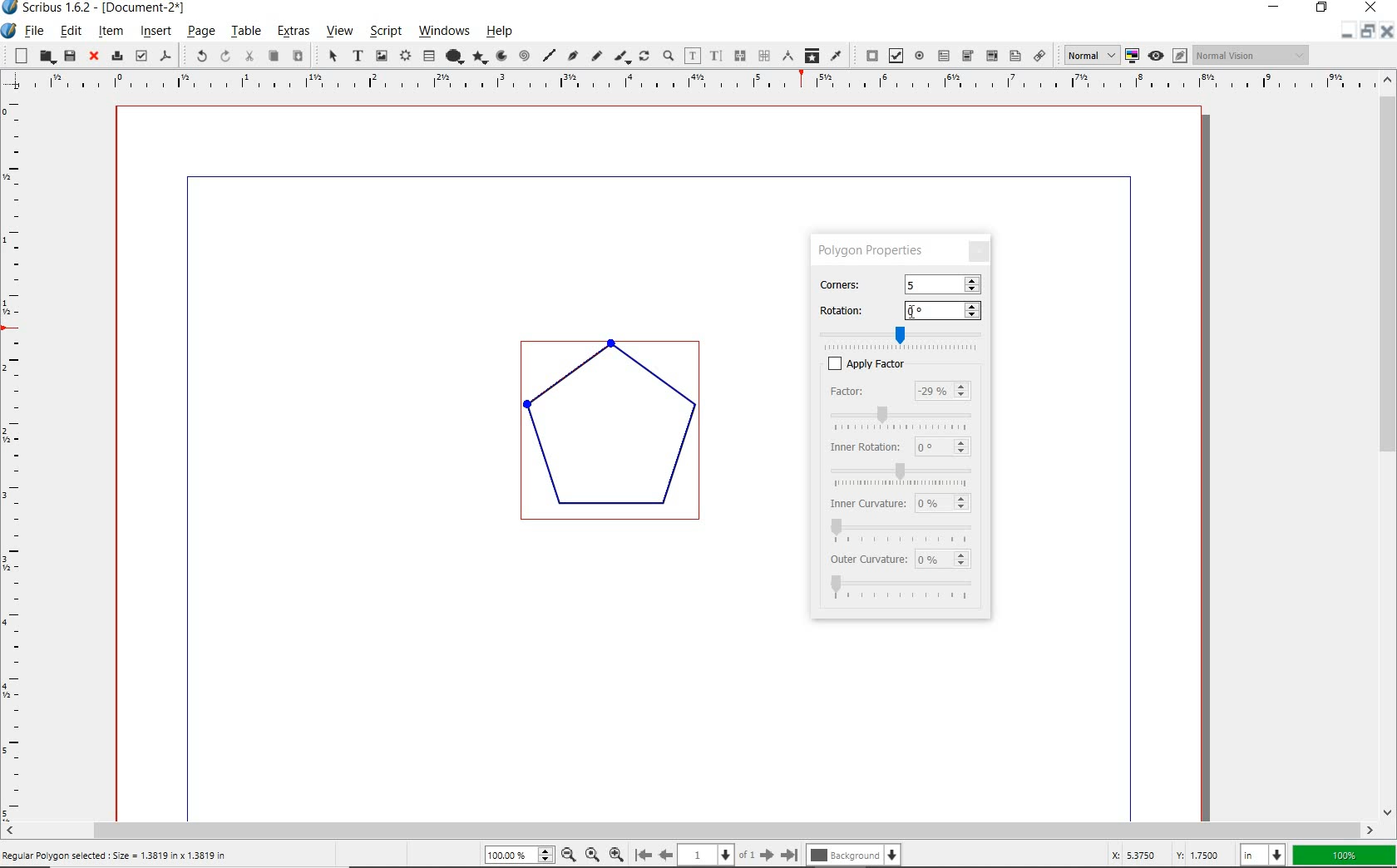 This screenshot has height=868, width=1397. Describe the element at coordinates (481, 57) in the screenshot. I see `polygon` at that location.